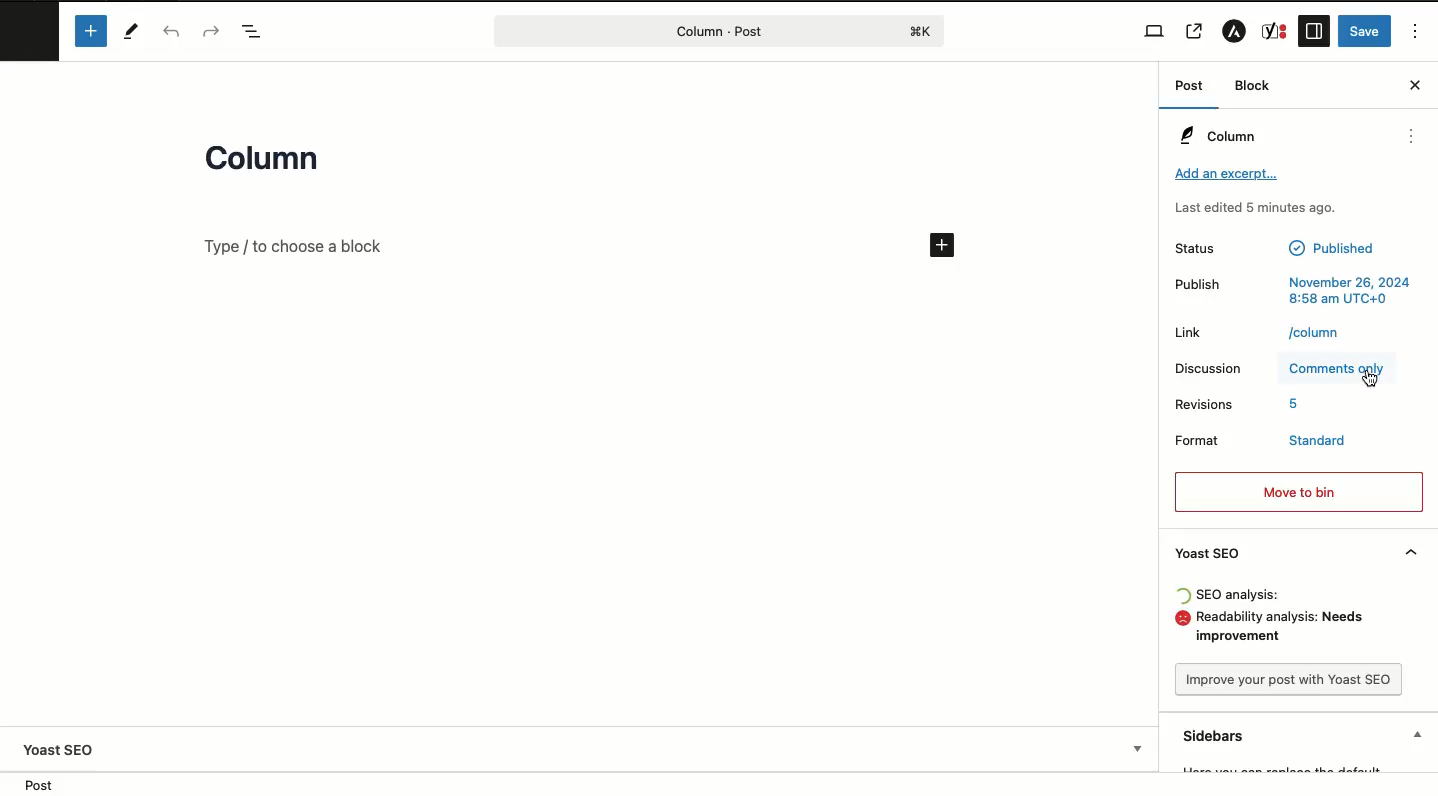  I want to click on text, so click(1295, 405).